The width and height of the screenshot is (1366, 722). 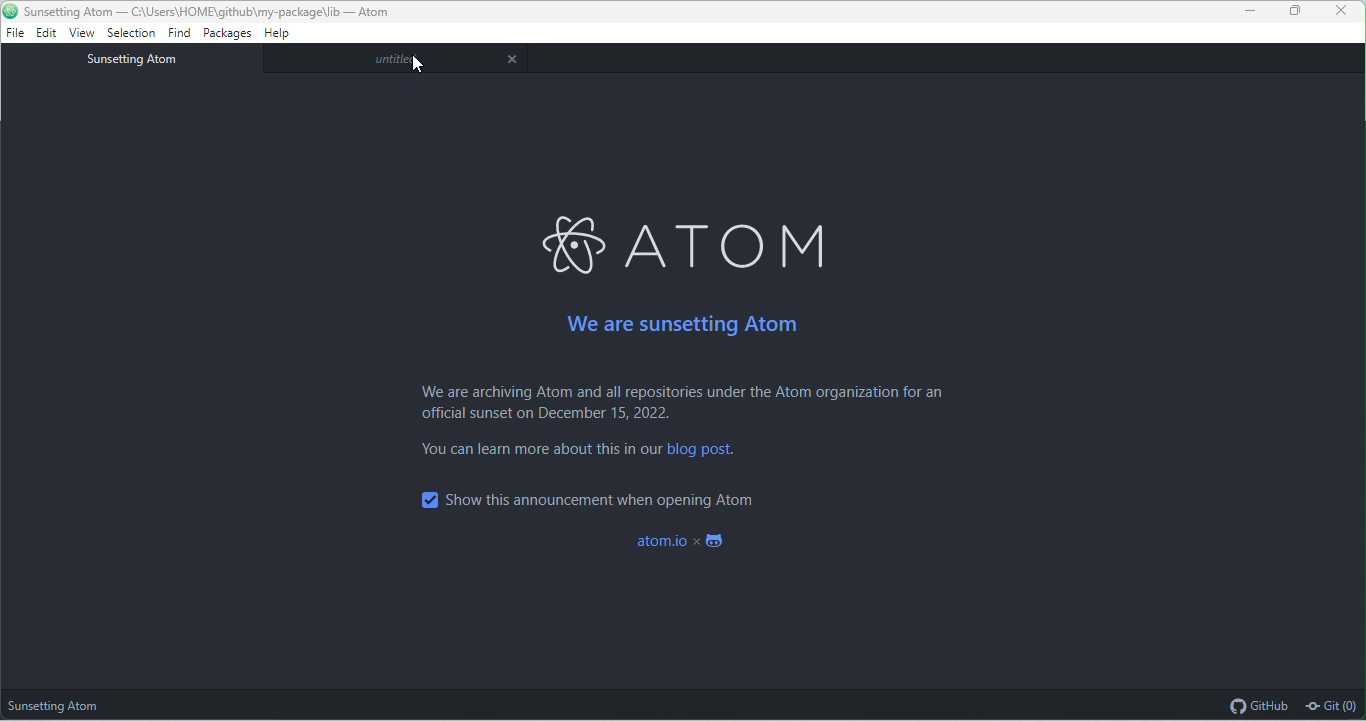 I want to click on blog post, so click(x=713, y=446).